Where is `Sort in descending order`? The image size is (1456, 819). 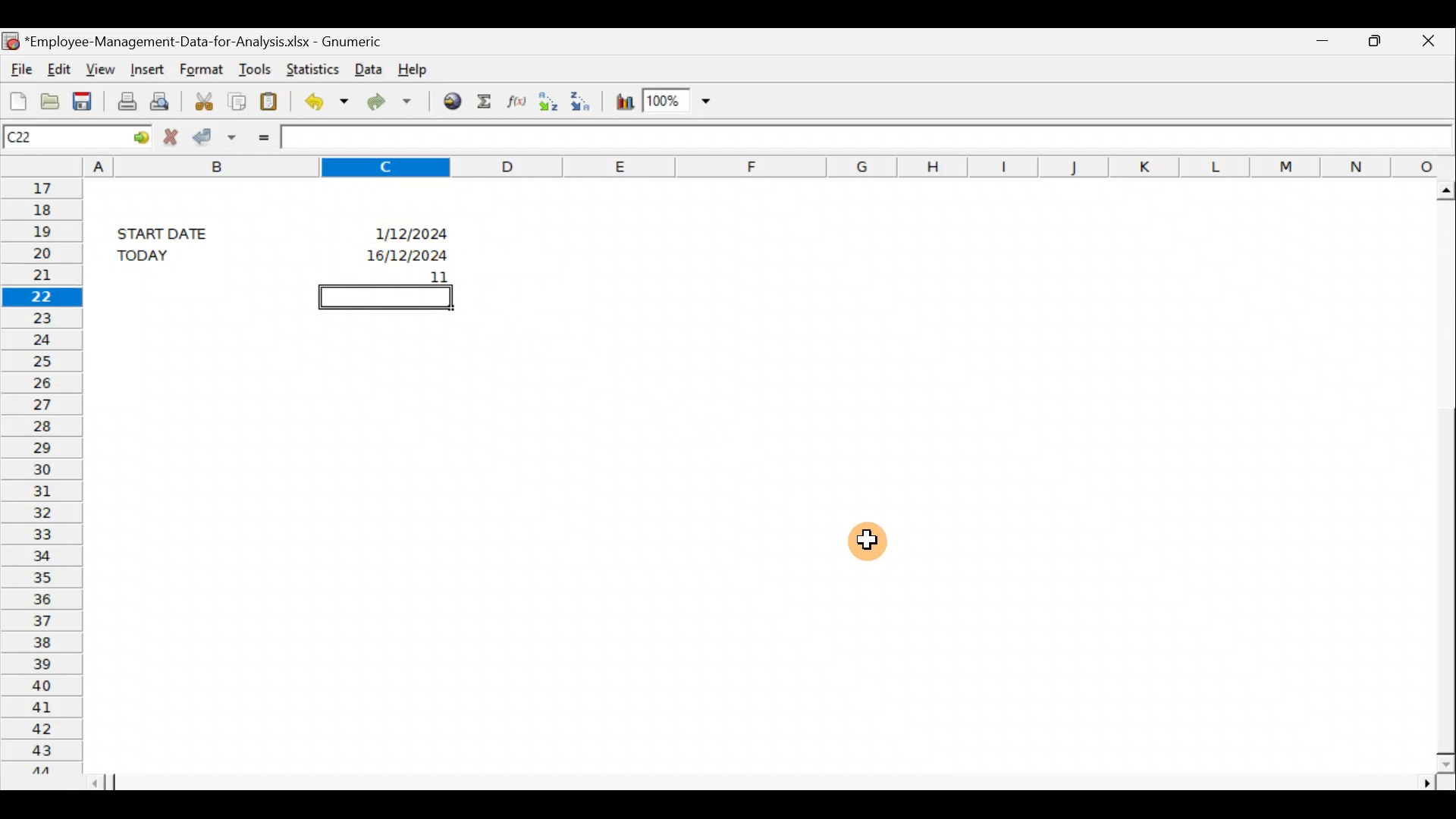
Sort in descending order is located at coordinates (584, 101).